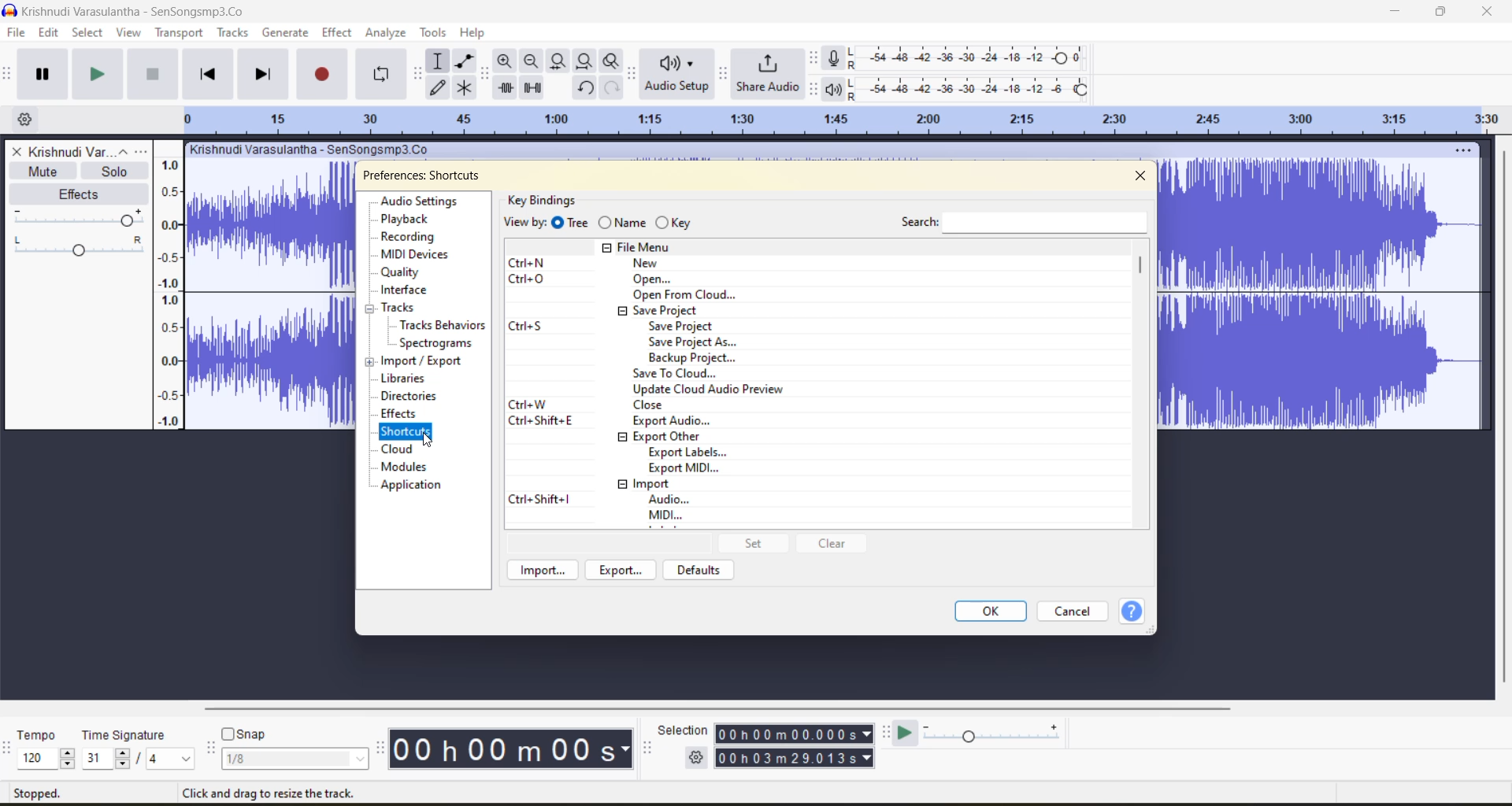 The image size is (1512, 806). What do you see at coordinates (20, 240) in the screenshot?
I see `pan left` at bounding box center [20, 240].